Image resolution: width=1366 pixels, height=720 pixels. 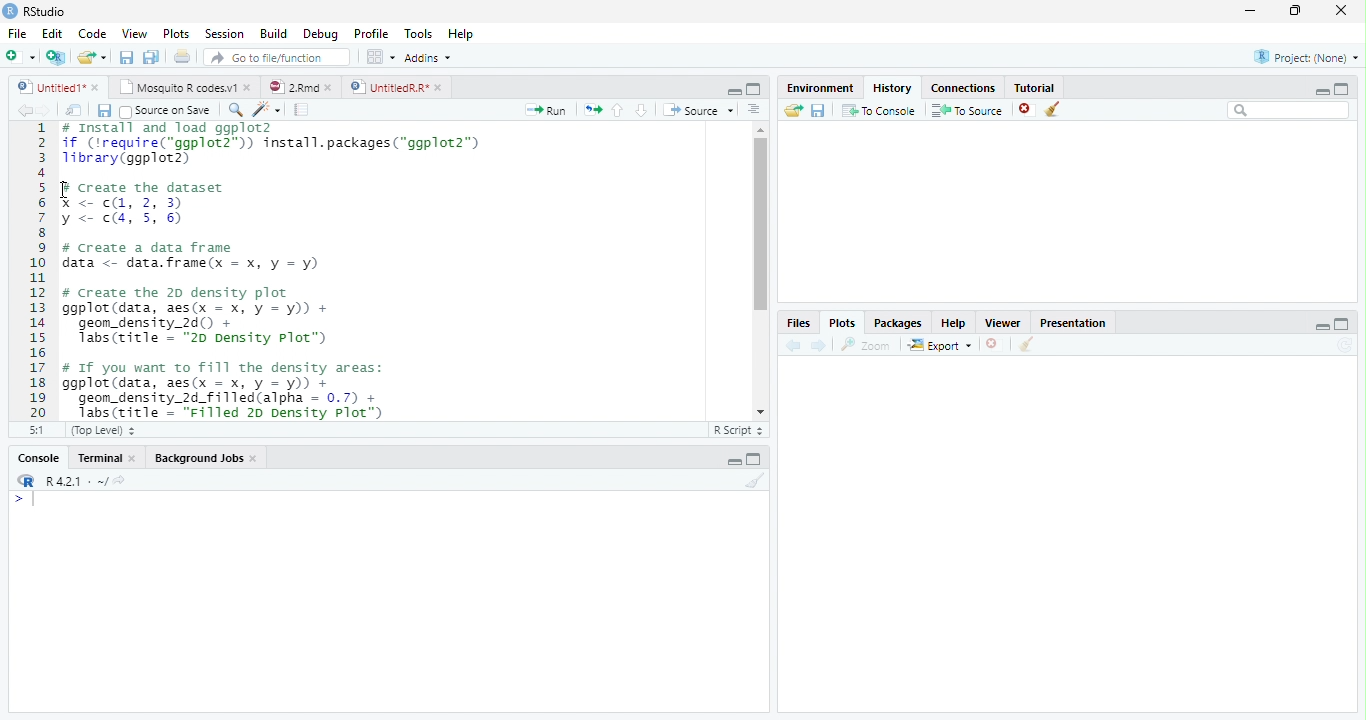 I want to click on ‘Mosquito R codes.v1, so click(x=178, y=87).